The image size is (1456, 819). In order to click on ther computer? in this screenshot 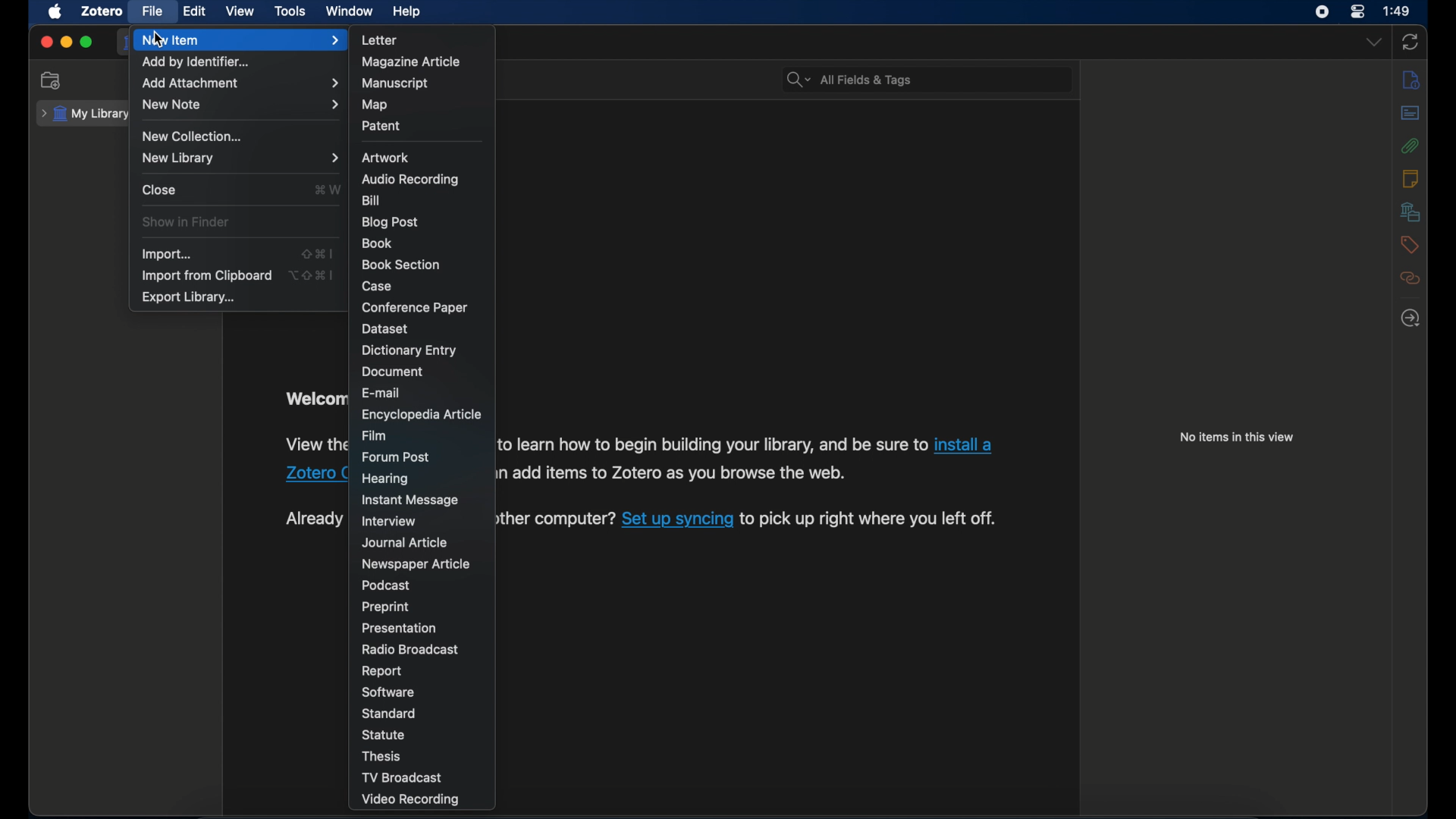, I will do `click(557, 519)`.